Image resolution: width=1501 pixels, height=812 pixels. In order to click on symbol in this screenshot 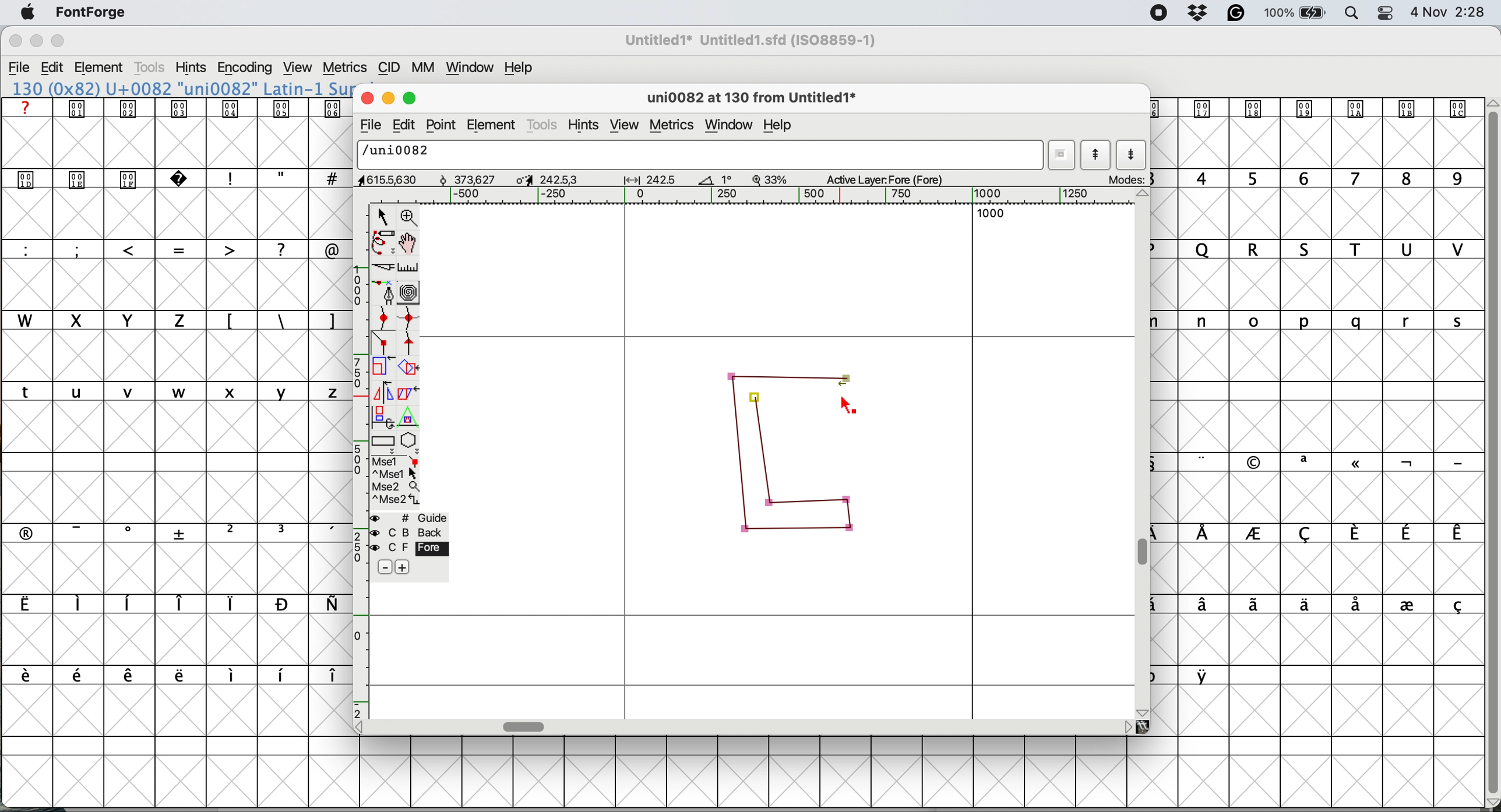, I will do `click(1206, 675)`.